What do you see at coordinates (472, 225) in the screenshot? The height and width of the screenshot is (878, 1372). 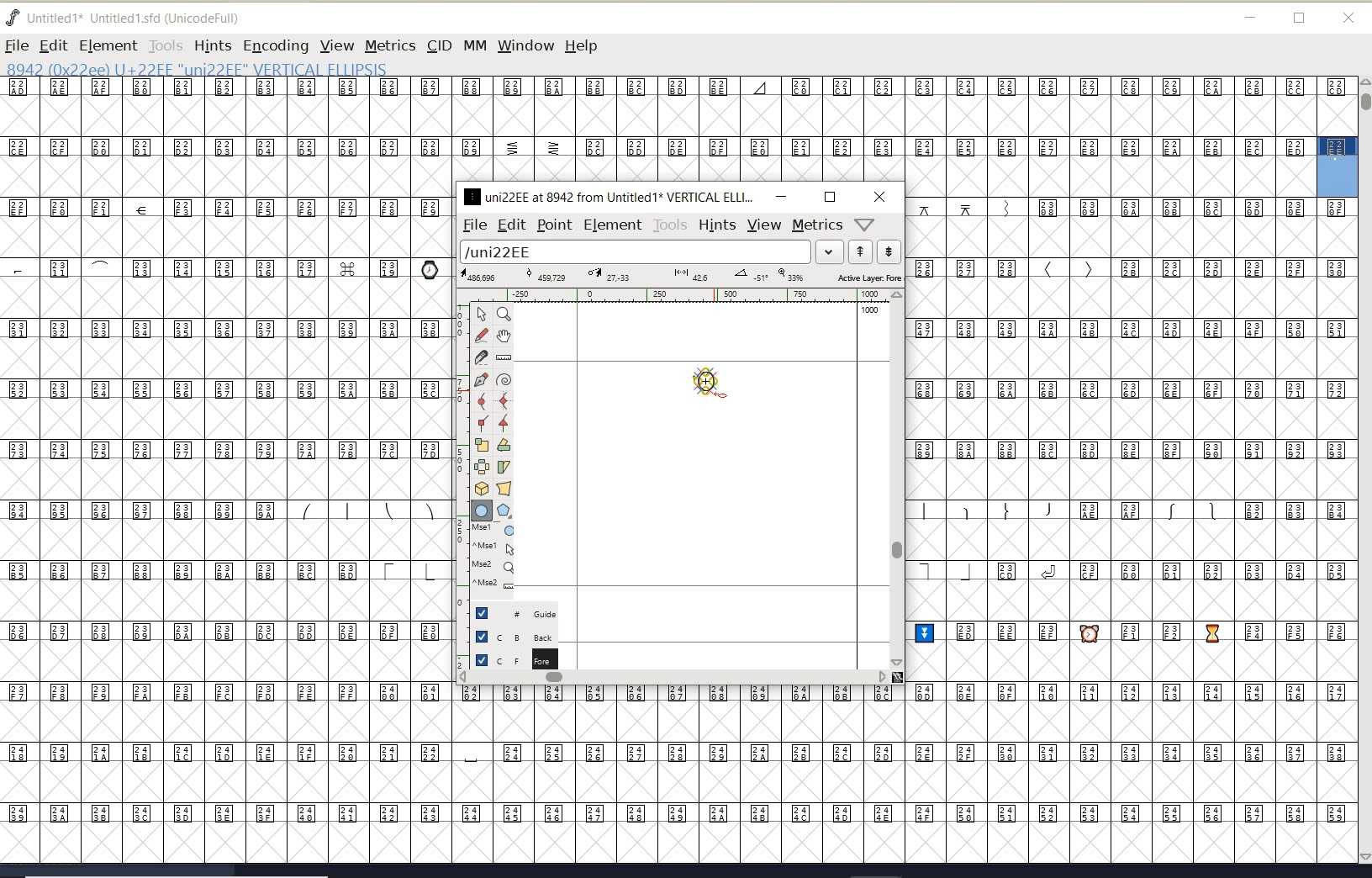 I see `file` at bounding box center [472, 225].